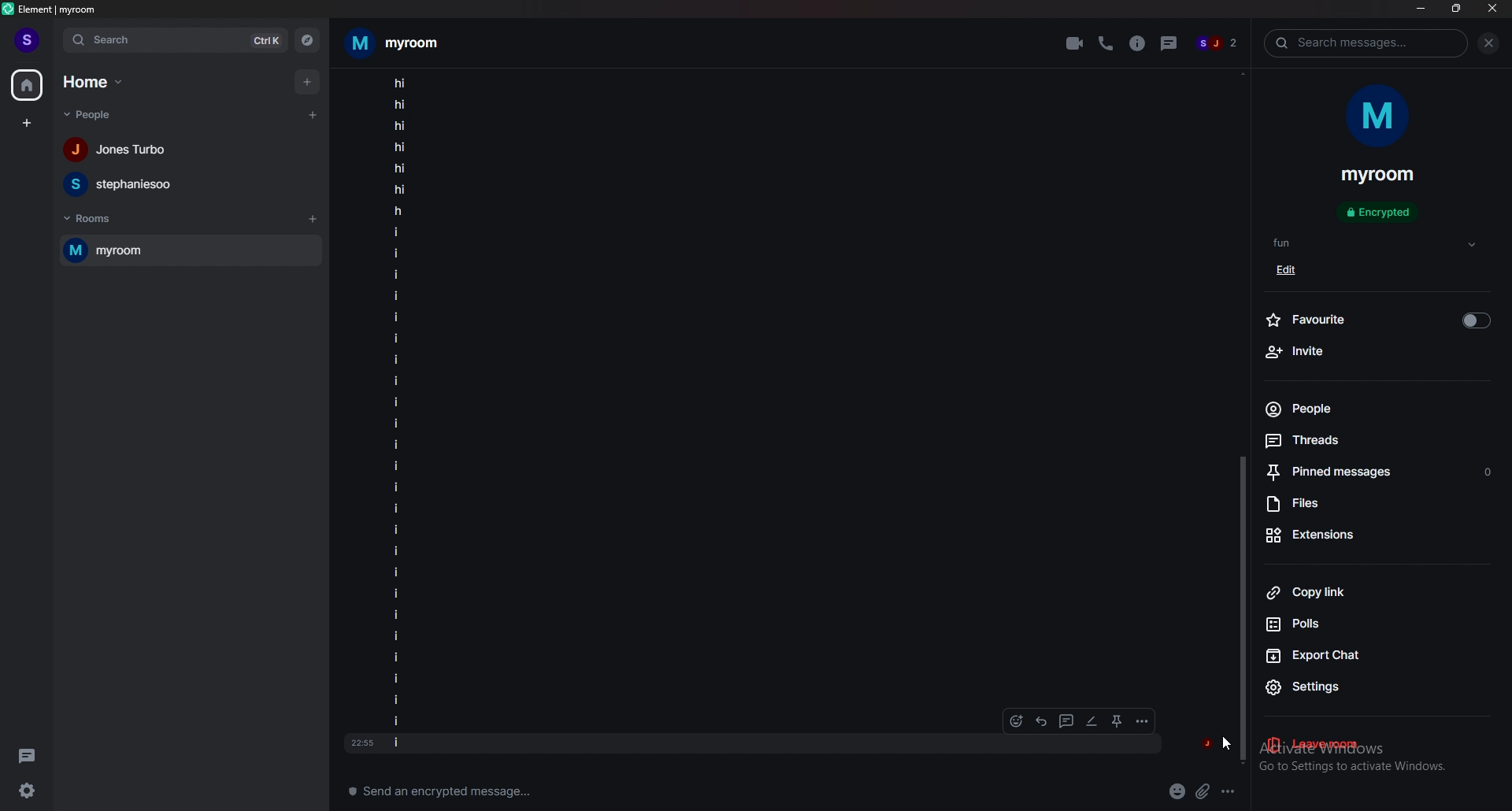 The image size is (1512, 811). I want to click on threads, so click(1343, 441).